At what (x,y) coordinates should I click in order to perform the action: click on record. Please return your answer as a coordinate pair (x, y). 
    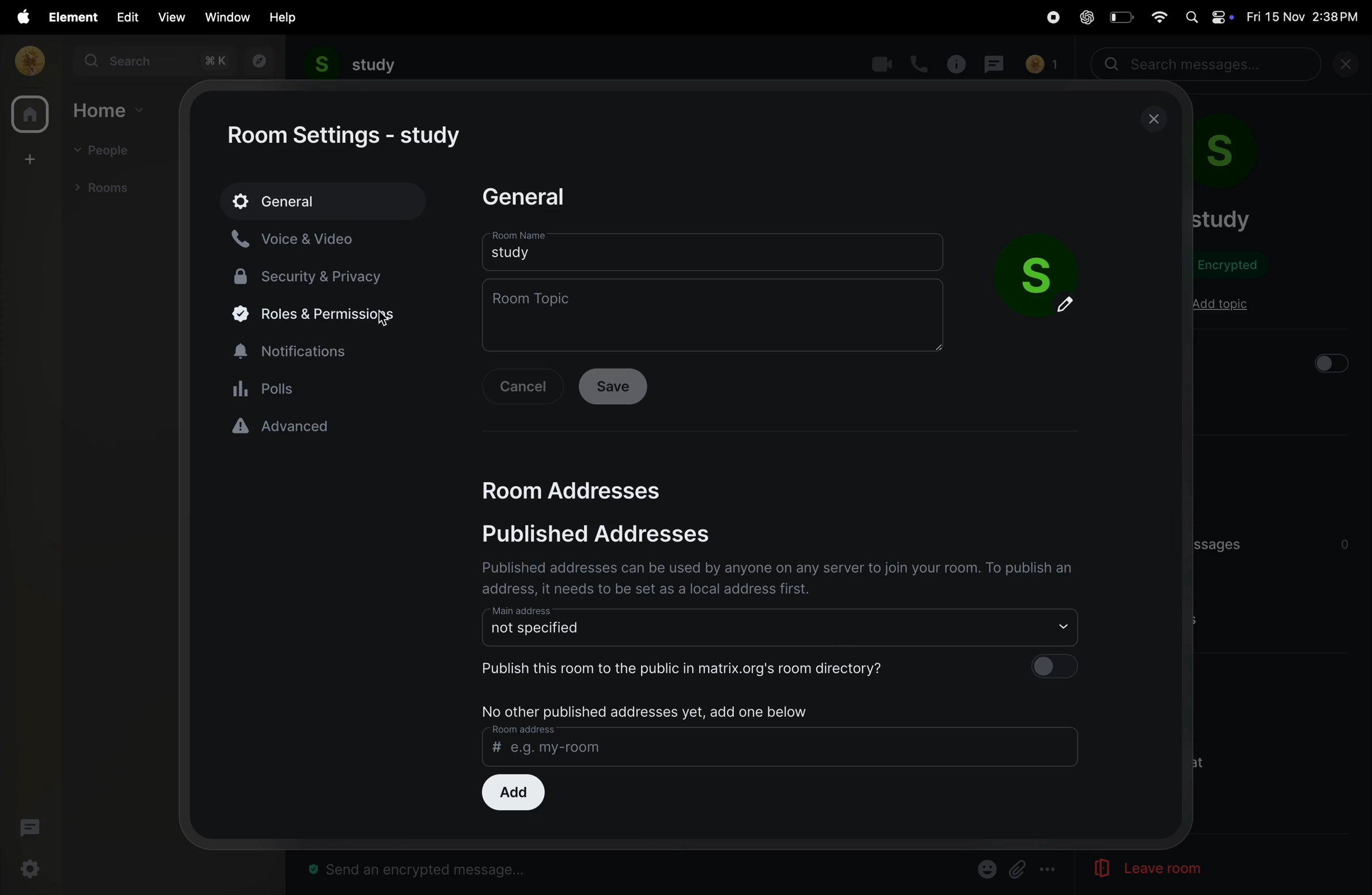
    Looking at the image, I should click on (1048, 18).